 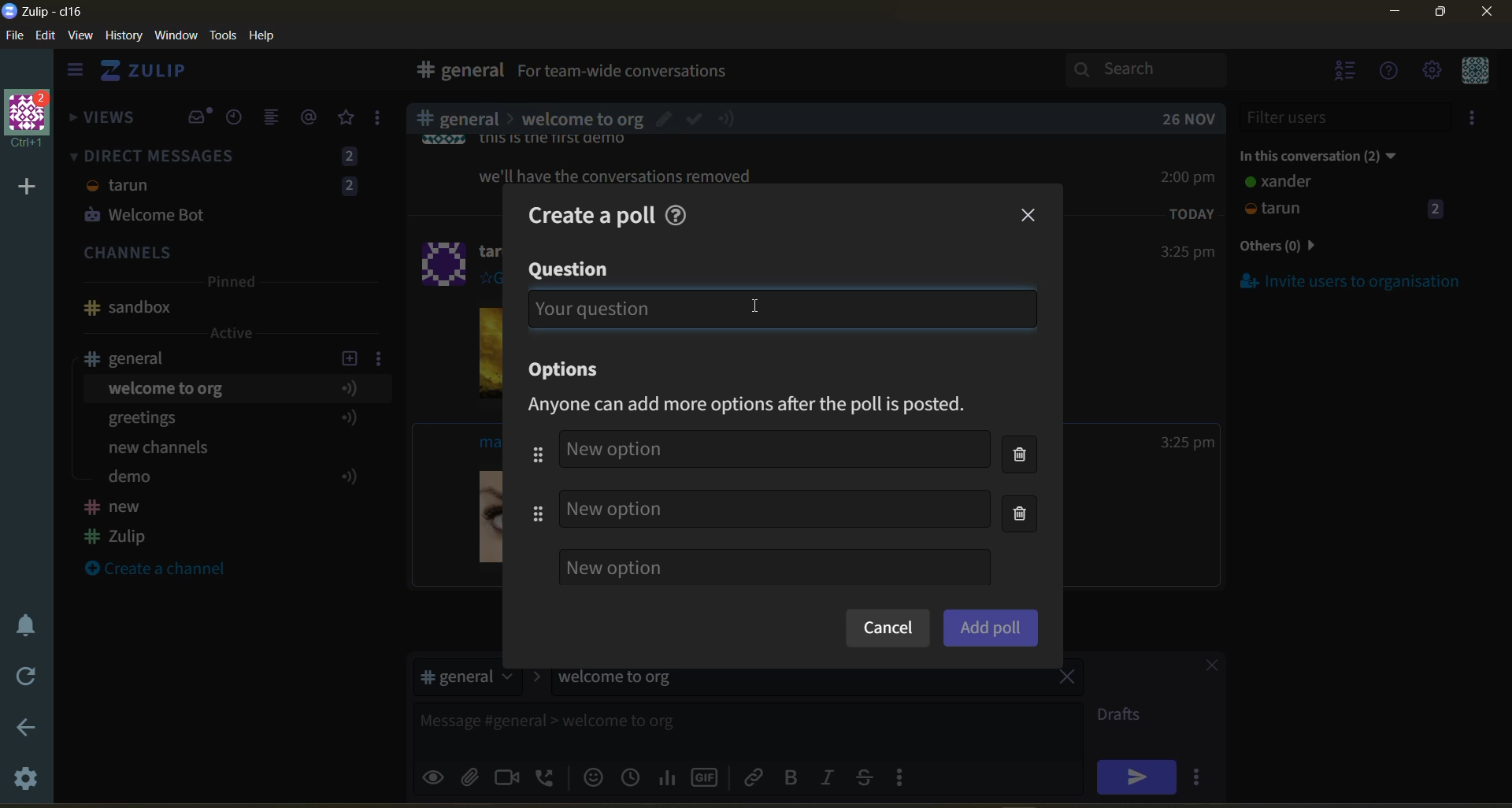 I want to click on drafts, so click(x=1125, y=717).